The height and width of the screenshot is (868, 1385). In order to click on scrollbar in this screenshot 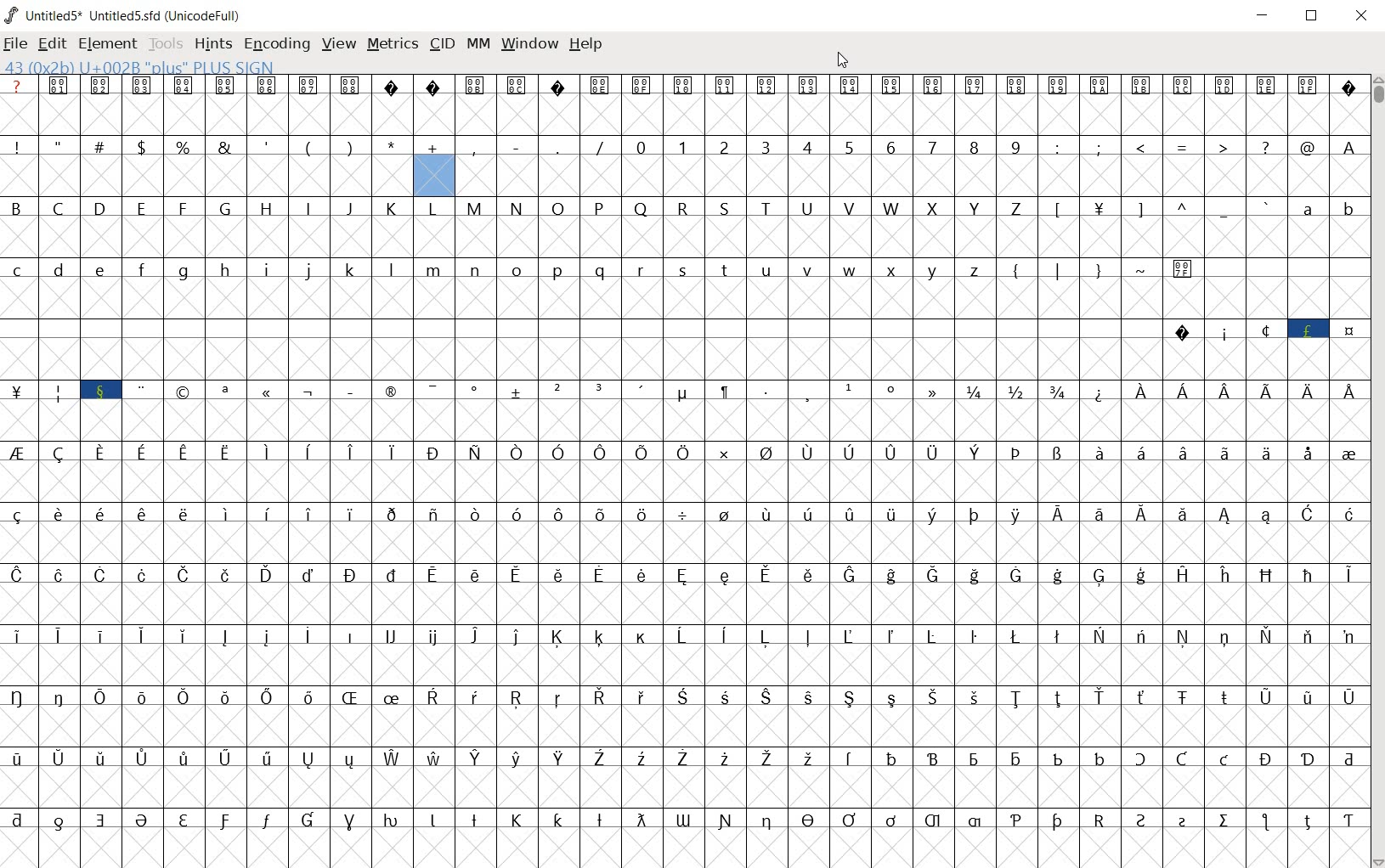, I will do `click(1377, 470)`.